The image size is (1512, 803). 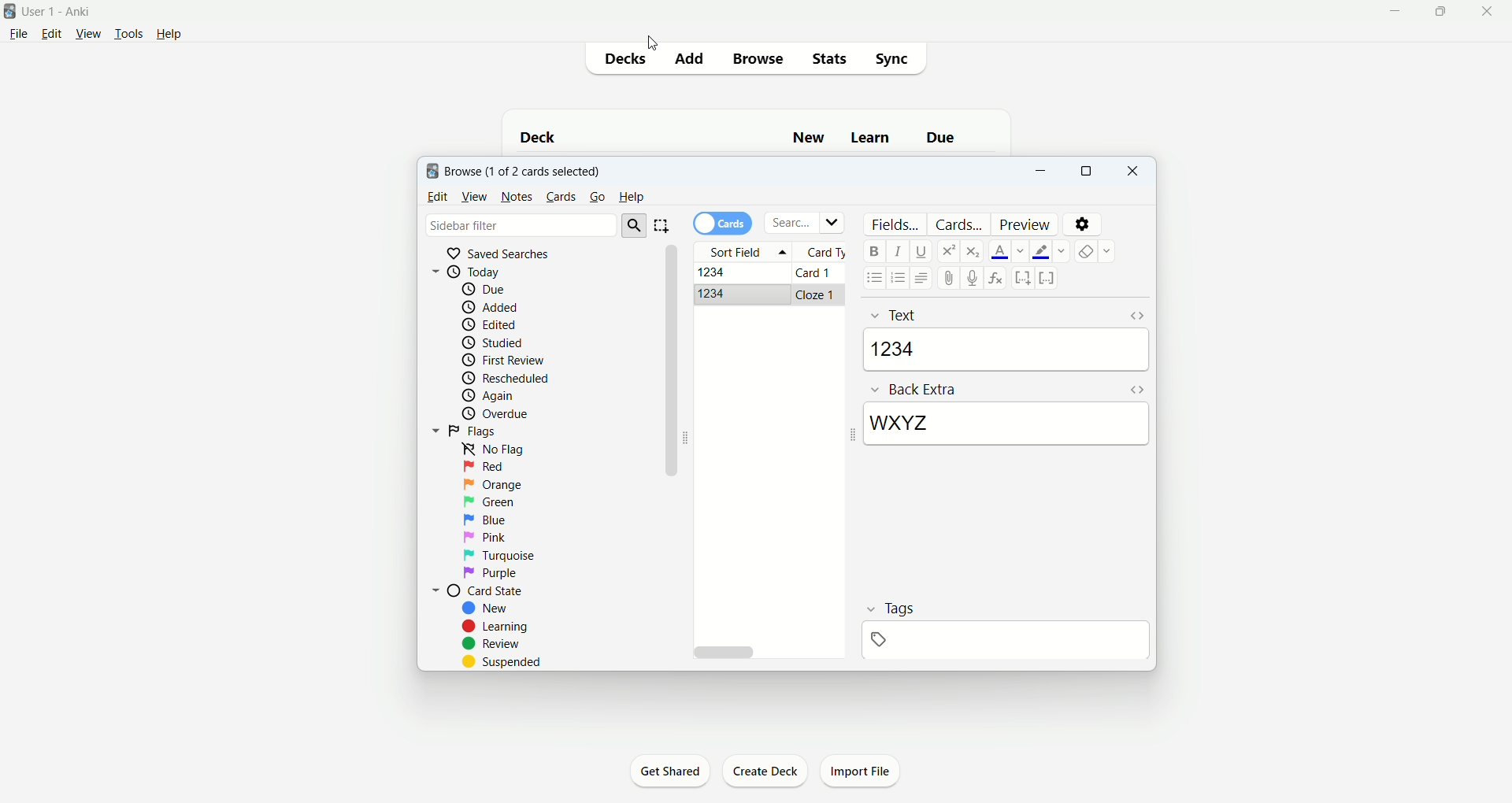 What do you see at coordinates (724, 221) in the screenshot?
I see `cards` at bounding box center [724, 221].